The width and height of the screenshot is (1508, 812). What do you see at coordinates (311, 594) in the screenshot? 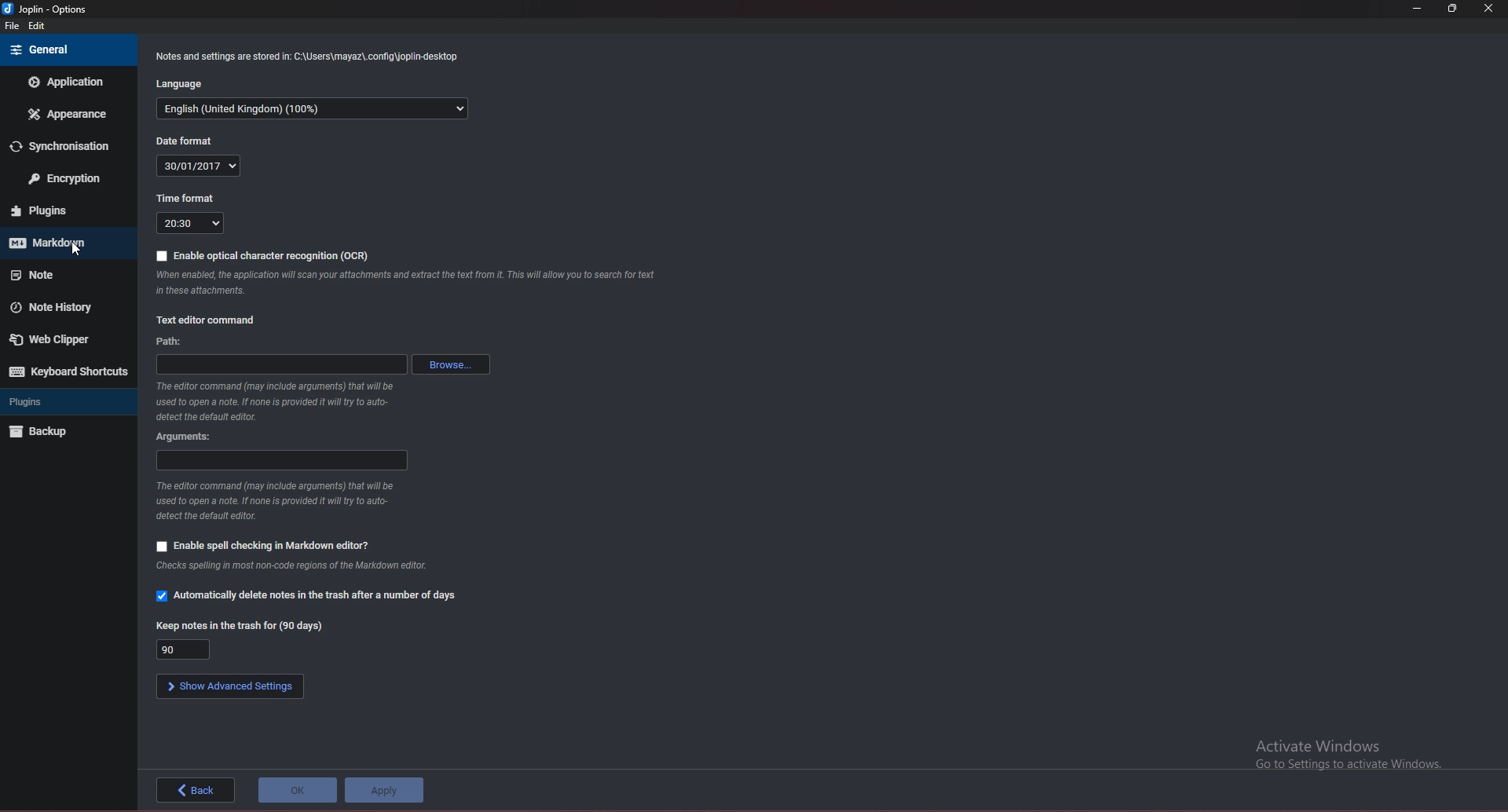
I see `automatically delete notes` at bounding box center [311, 594].